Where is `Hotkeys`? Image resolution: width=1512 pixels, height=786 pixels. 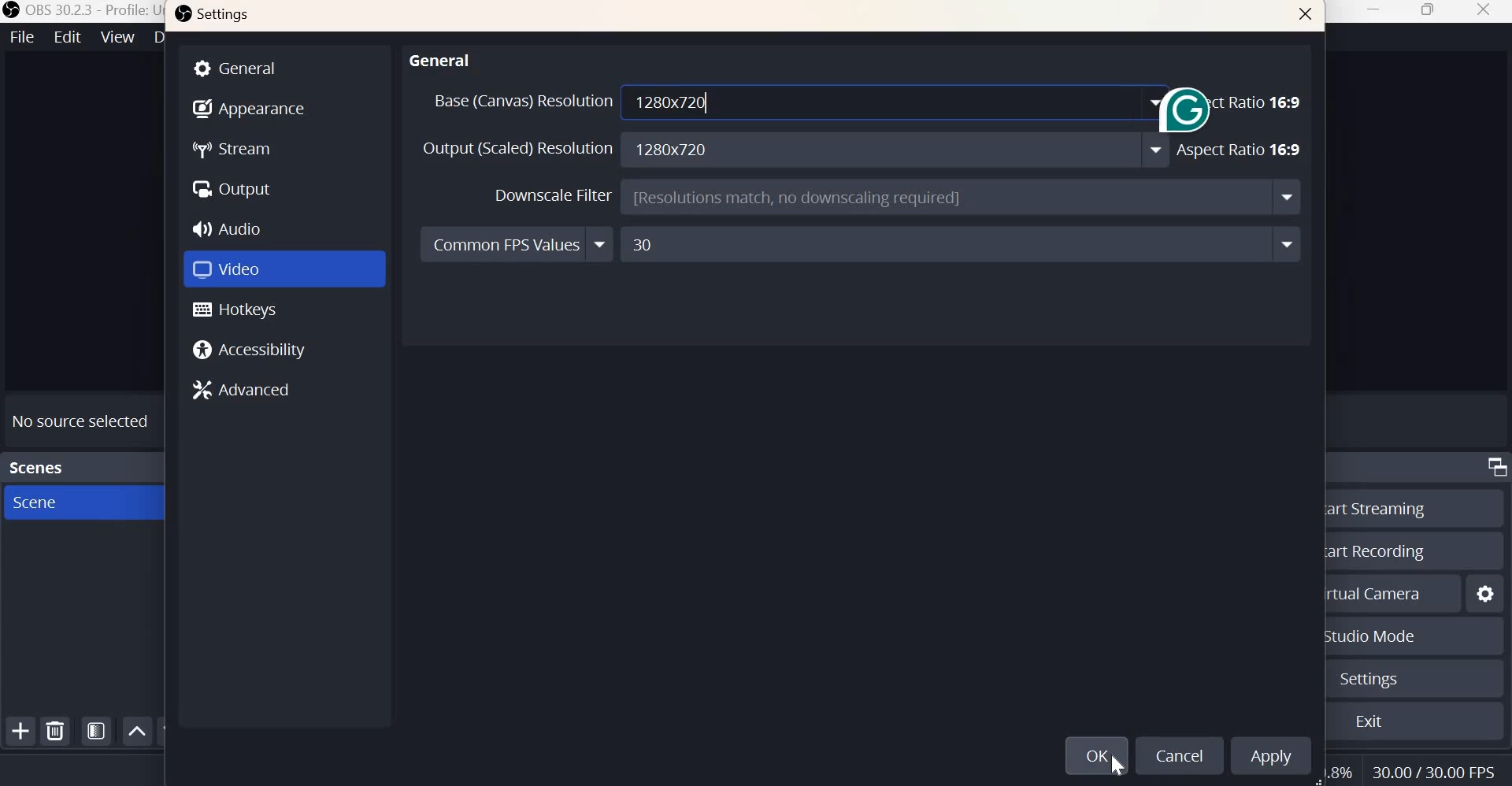 Hotkeys is located at coordinates (235, 310).